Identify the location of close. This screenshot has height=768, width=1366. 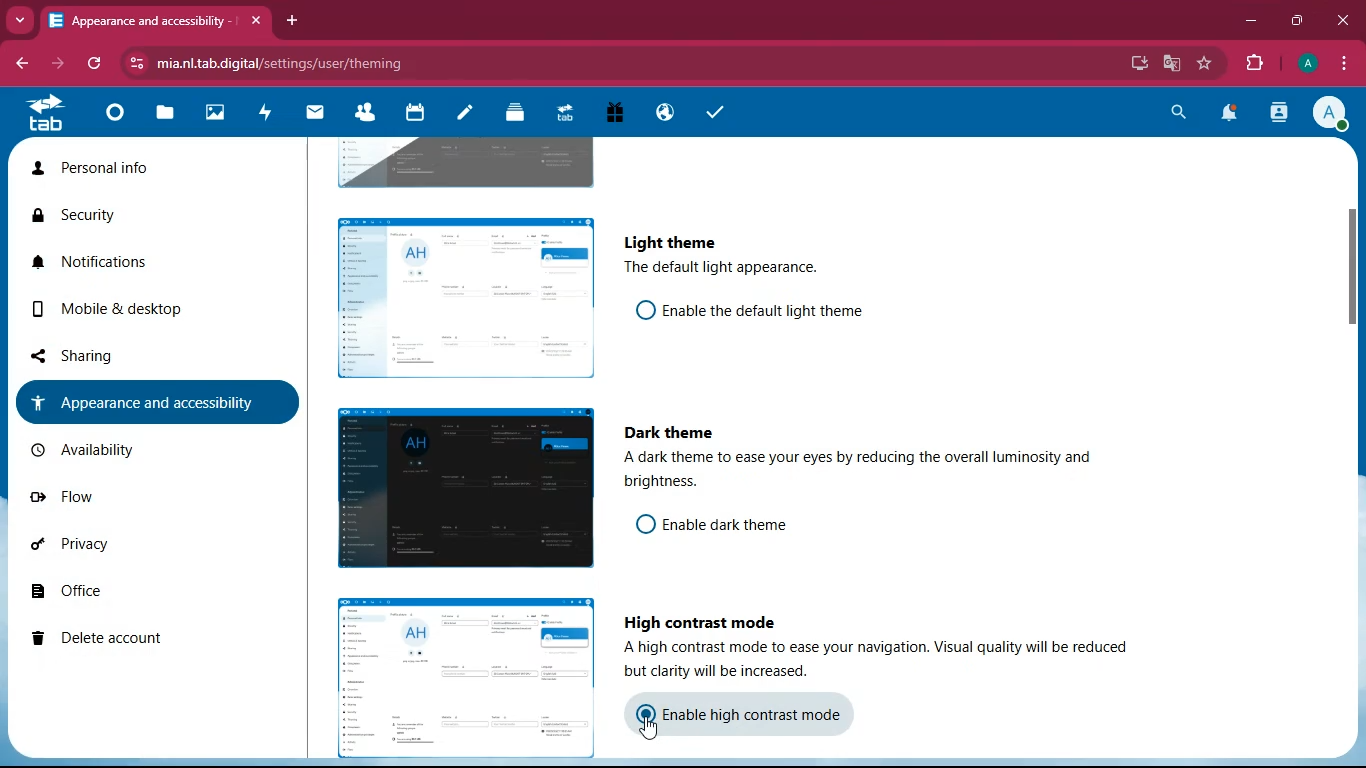
(252, 16).